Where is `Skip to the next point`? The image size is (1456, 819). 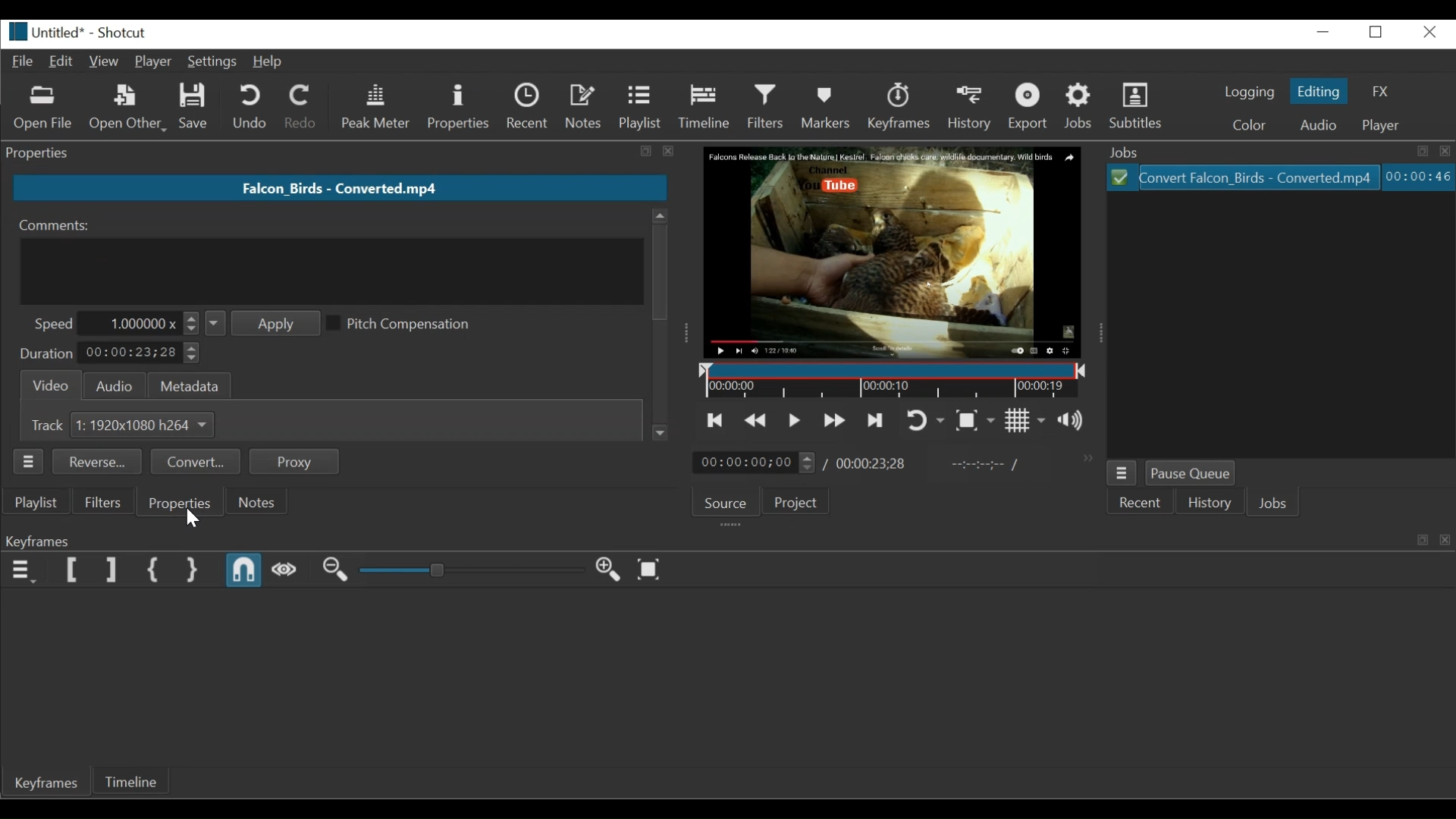 Skip to the next point is located at coordinates (875, 420).